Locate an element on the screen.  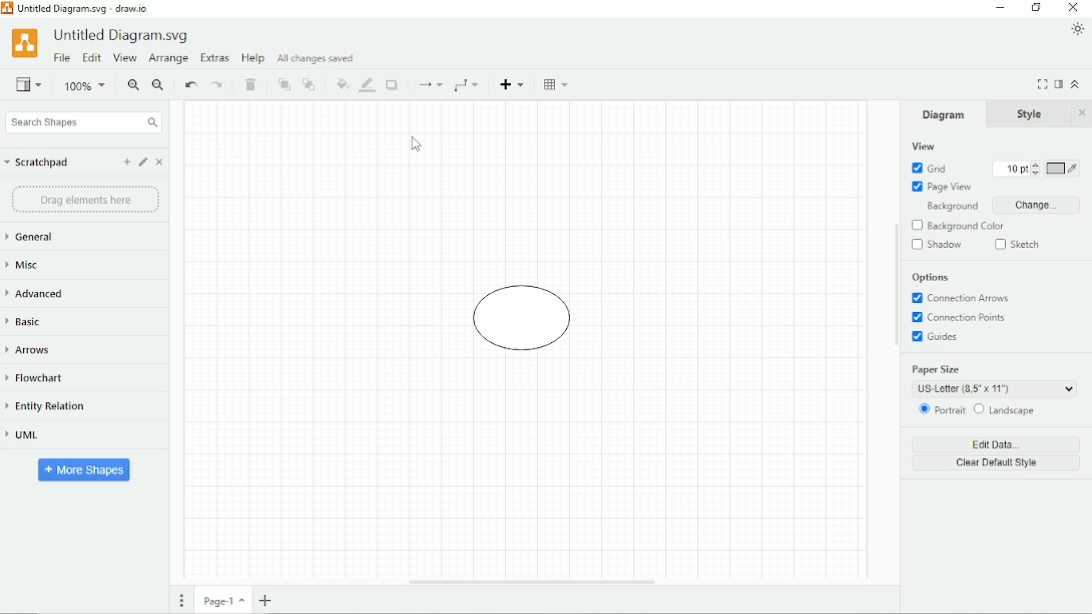
Minimize is located at coordinates (1001, 7).